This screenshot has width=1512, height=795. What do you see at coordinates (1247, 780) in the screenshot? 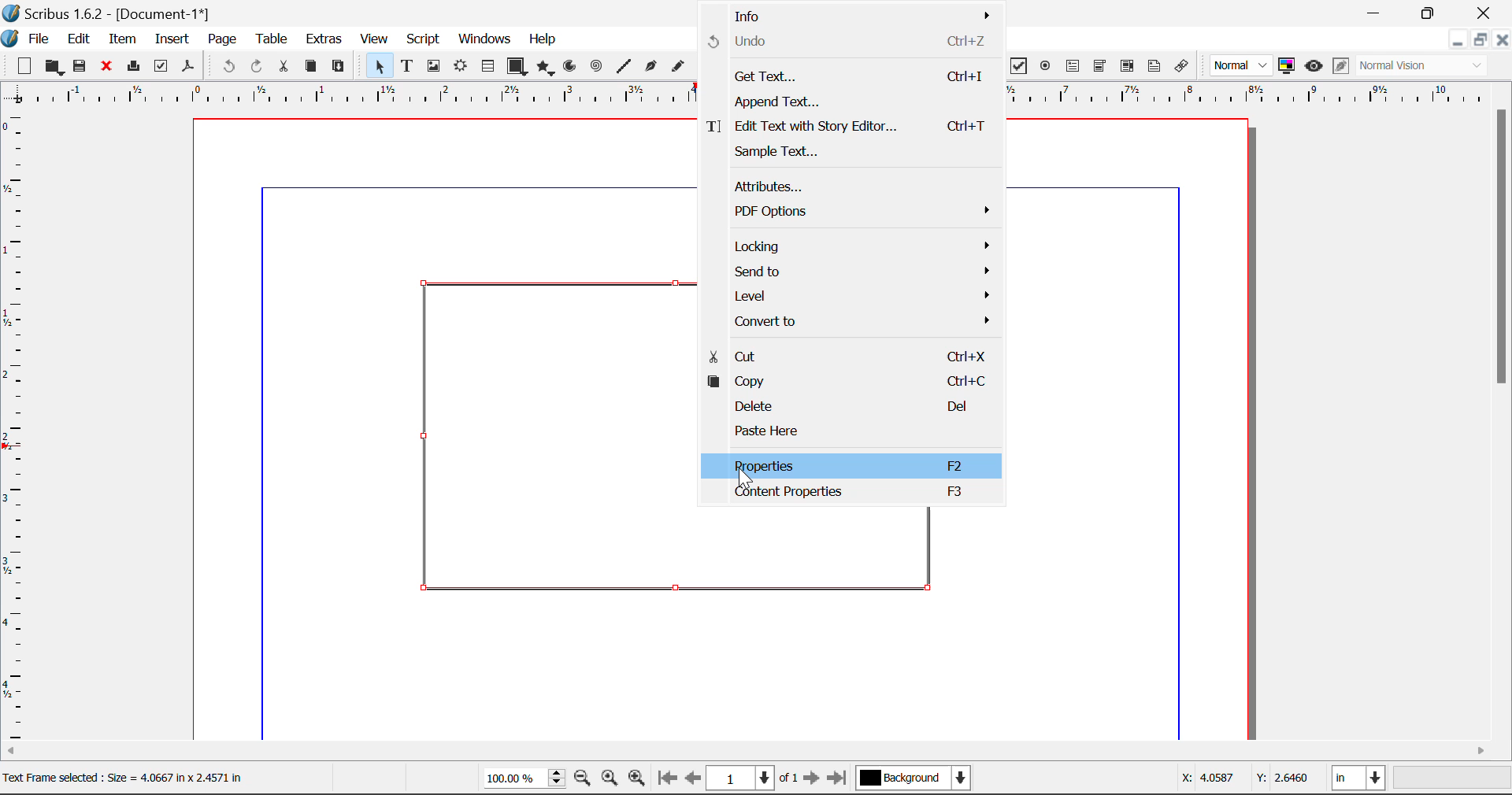
I see `Cursor Coordinates` at bounding box center [1247, 780].